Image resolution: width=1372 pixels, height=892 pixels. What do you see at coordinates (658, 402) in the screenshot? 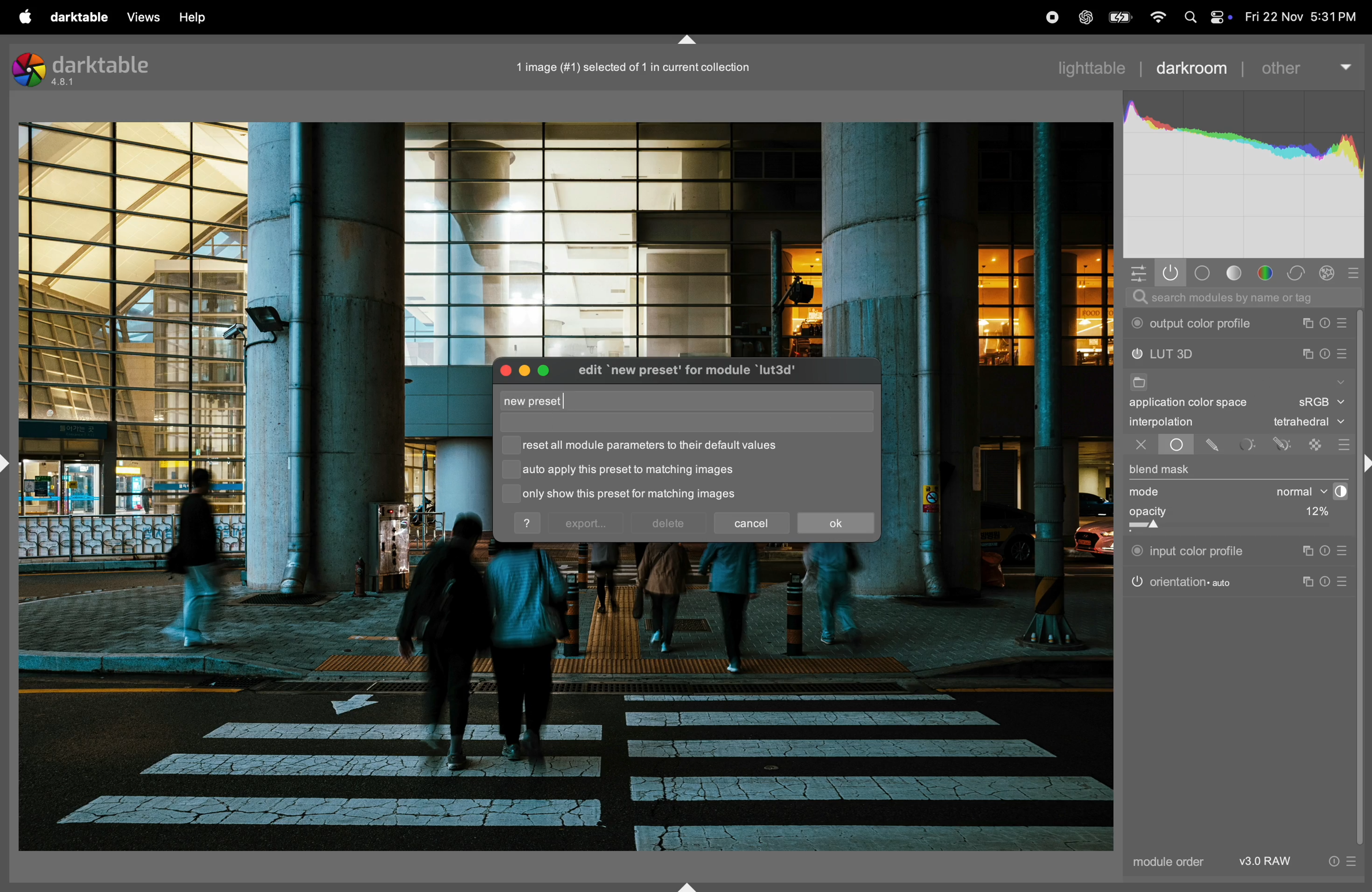
I see `text box` at bounding box center [658, 402].